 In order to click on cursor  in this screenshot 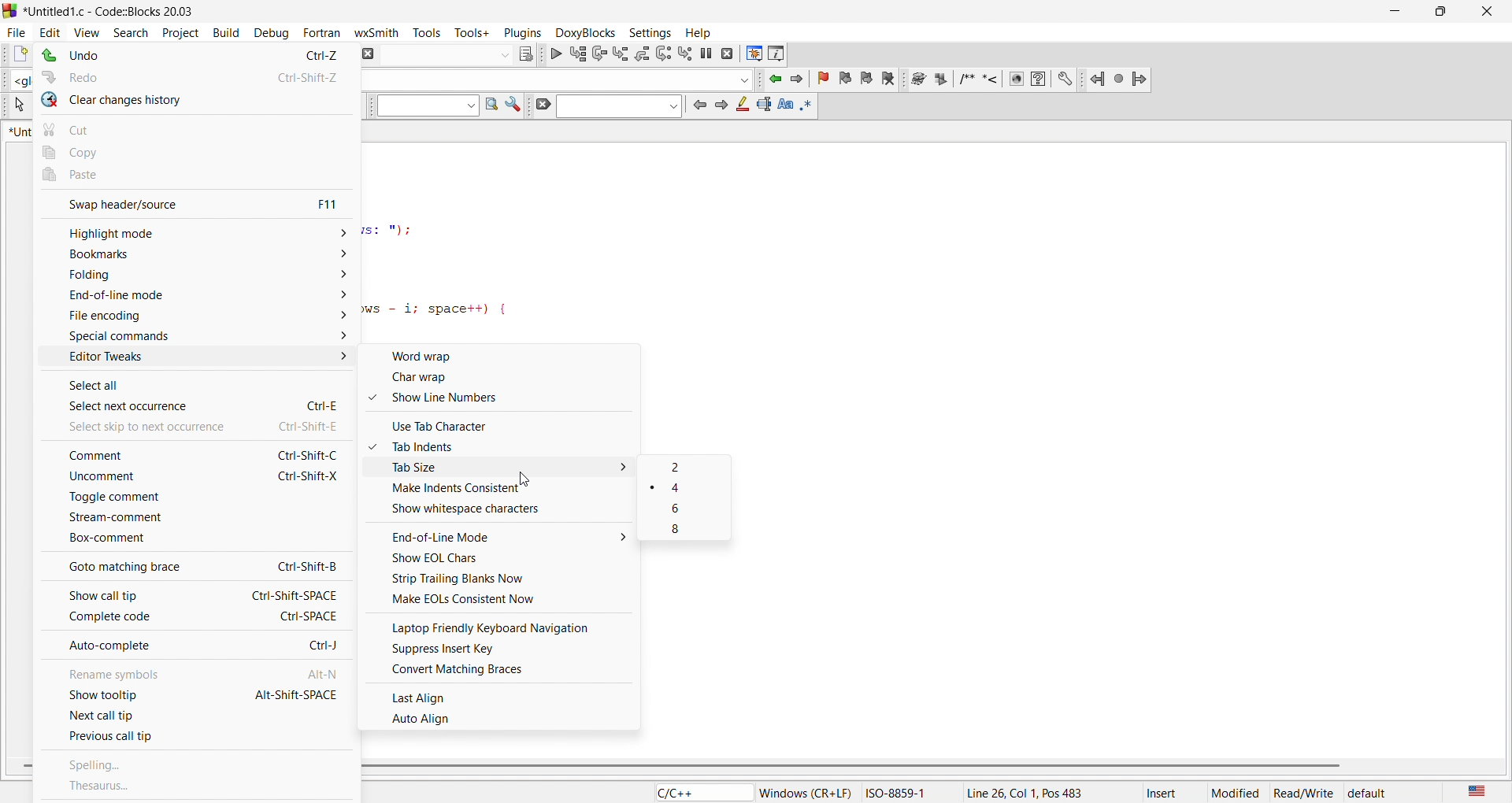, I will do `click(532, 474)`.